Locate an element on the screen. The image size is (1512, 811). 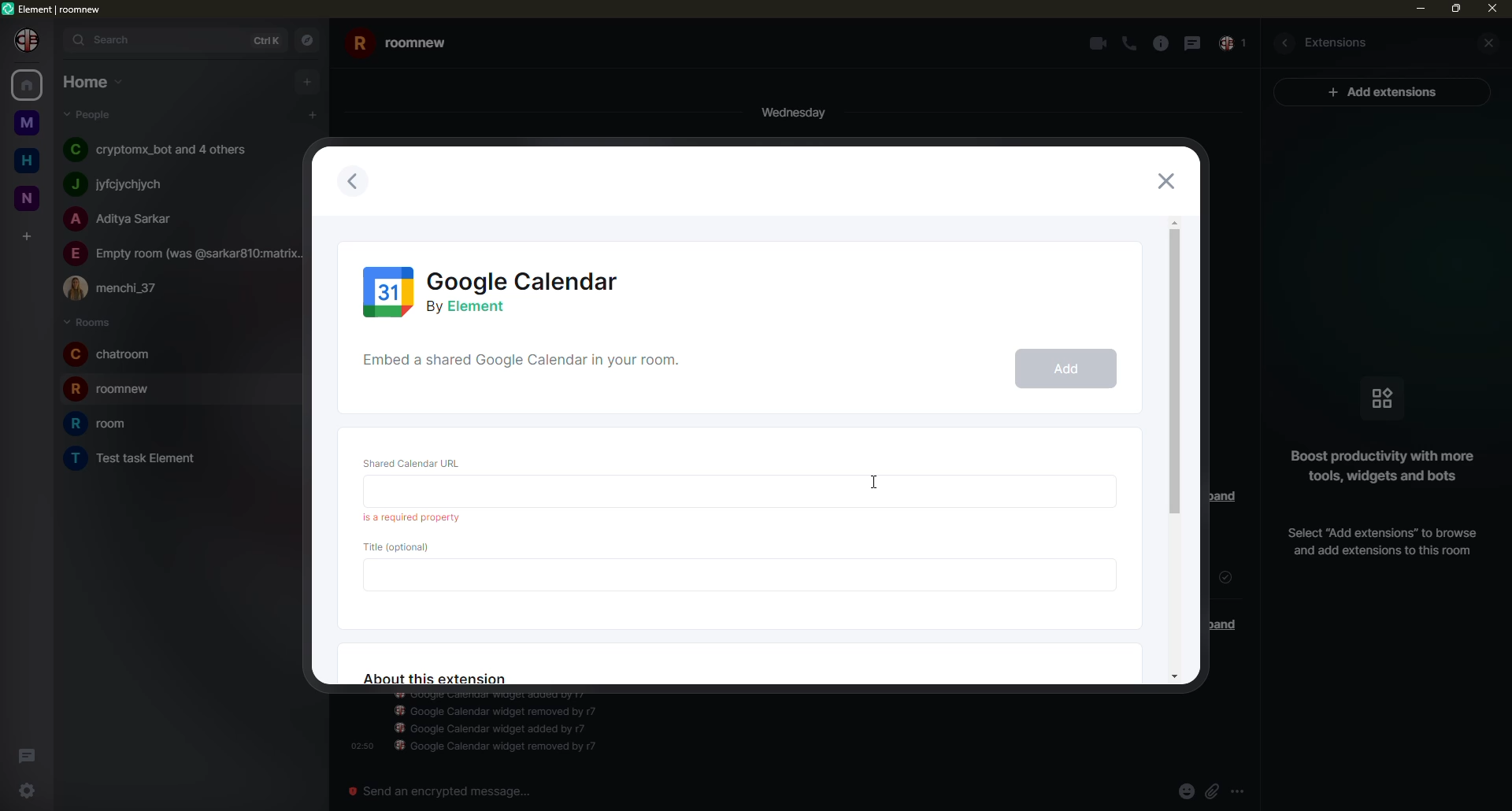
time is located at coordinates (359, 745).